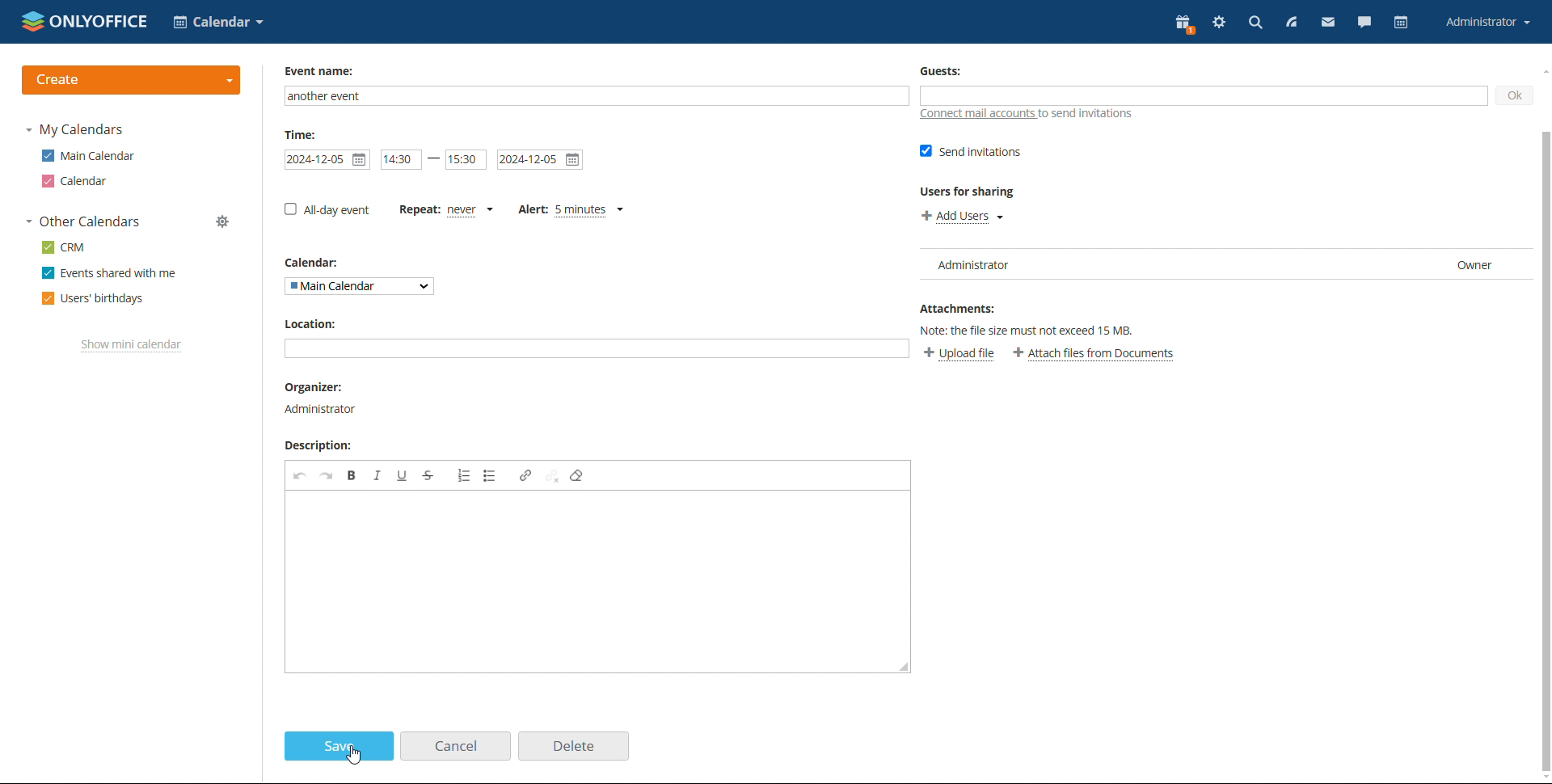 The width and height of the screenshot is (1552, 784). What do you see at coordinates (1217, 264) in the screenshot?
I see `user list` at bounding box center [1217, 264].